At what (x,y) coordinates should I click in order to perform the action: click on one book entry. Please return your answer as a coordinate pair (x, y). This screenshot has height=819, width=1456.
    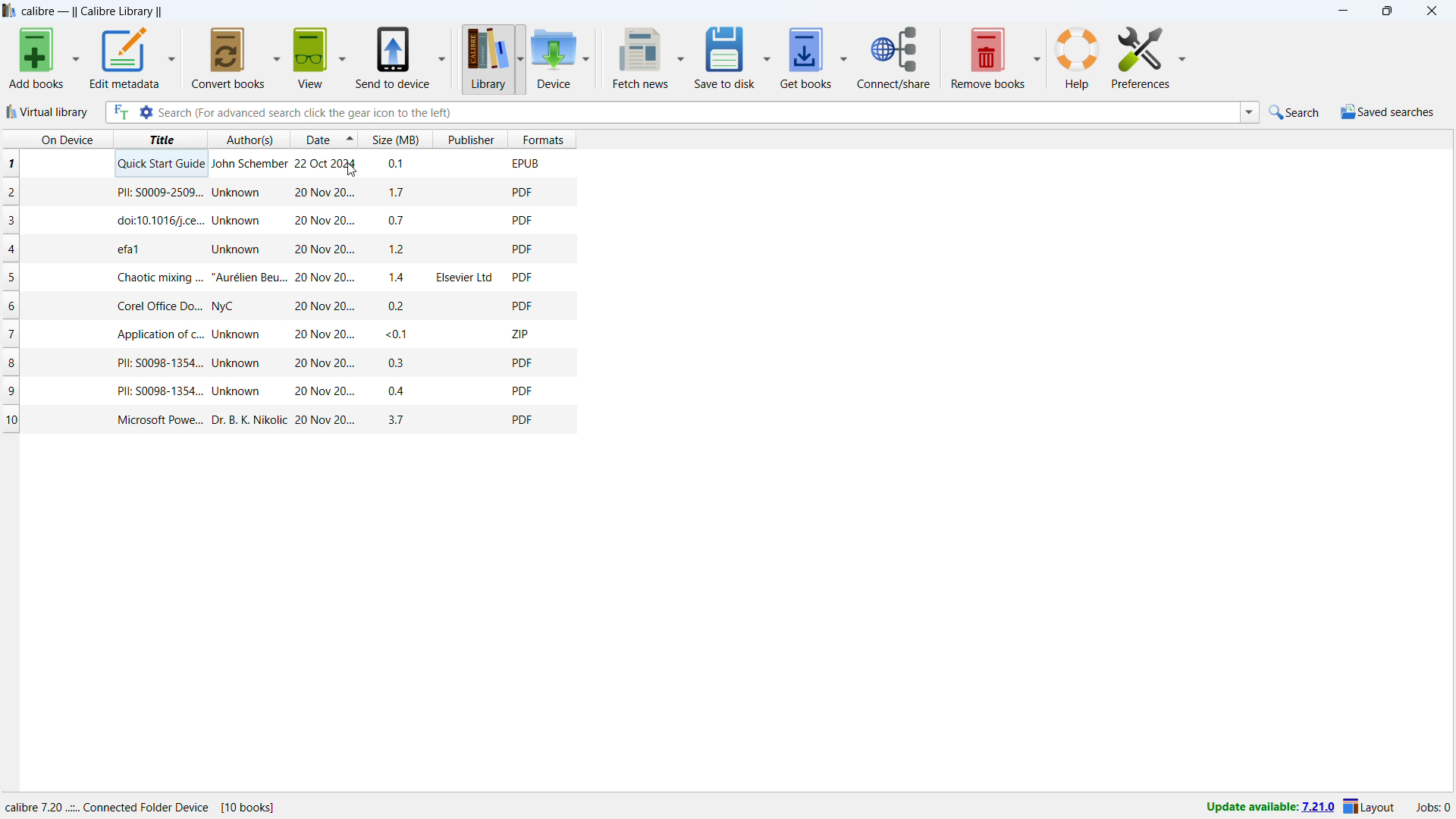
    Looking at the image, I should click on (291, 419).